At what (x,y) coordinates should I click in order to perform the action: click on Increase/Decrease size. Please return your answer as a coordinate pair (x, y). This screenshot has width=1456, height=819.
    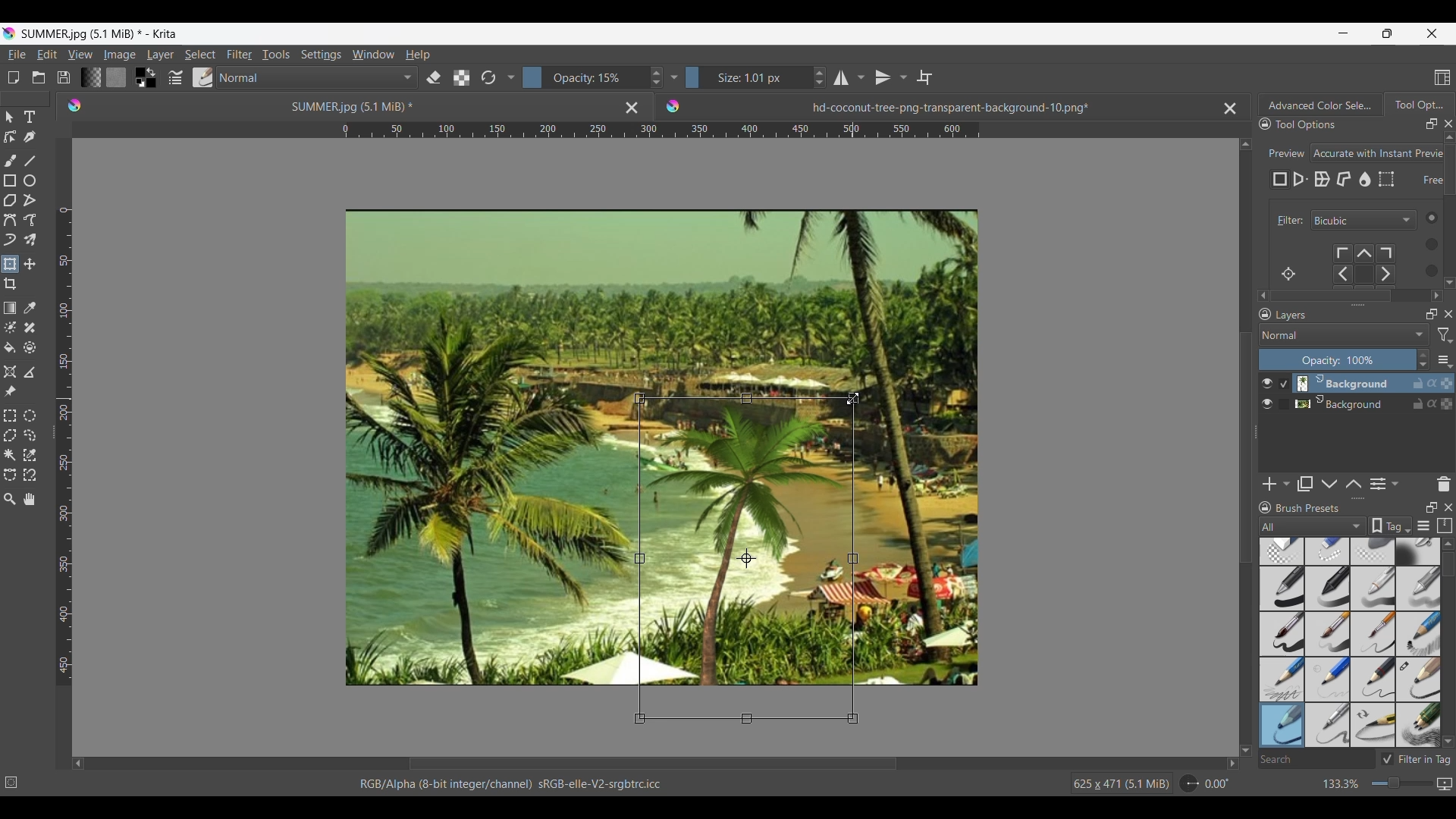
    Looking at the image, I should click on (756, 77).